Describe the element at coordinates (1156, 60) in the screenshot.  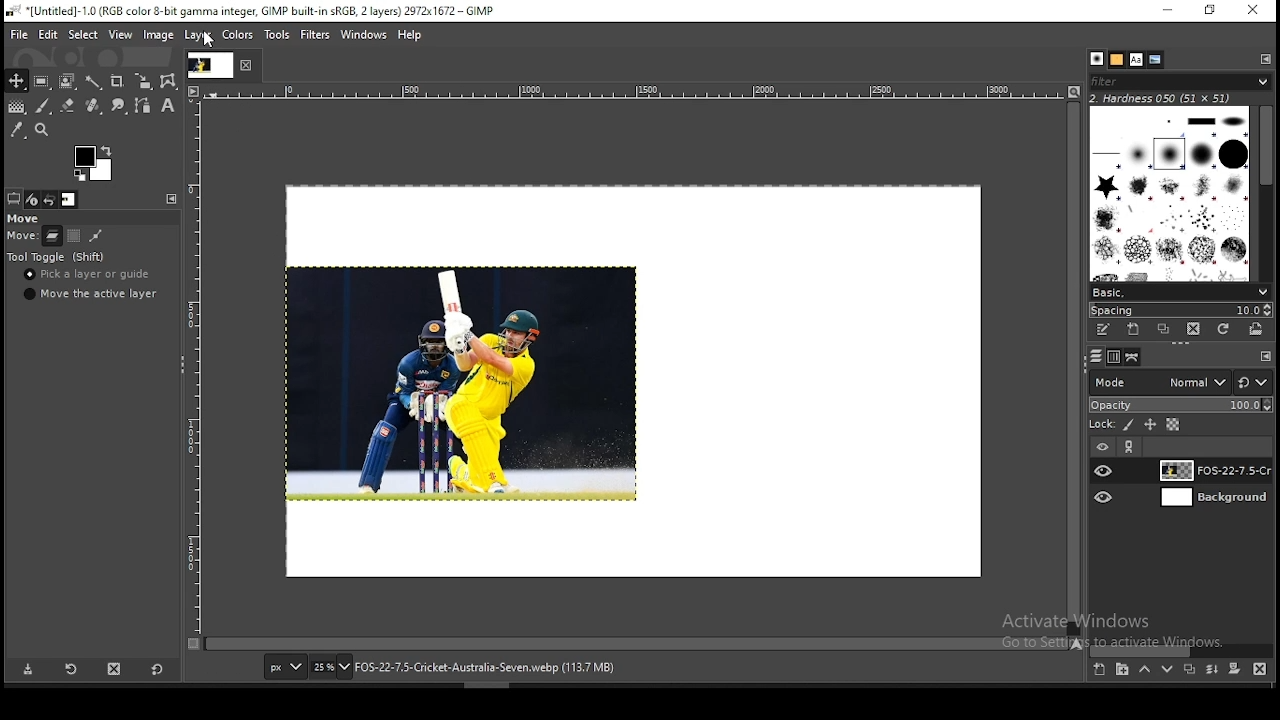
I see `document history` at that location.